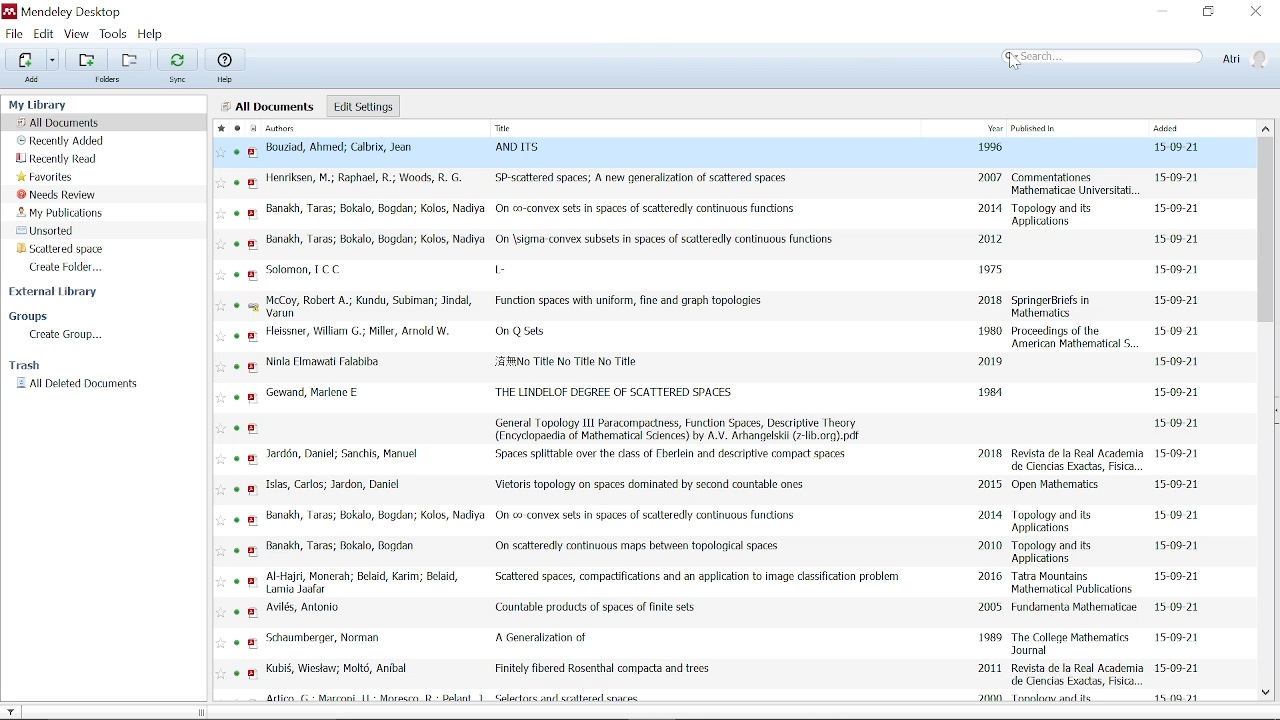 This screenshot has height=720, width=1280. What do you see at coordinates (1266, 230) in the screenshot?
I see `Vertical scrollbar for all files` at bounding box center [1266, 230].